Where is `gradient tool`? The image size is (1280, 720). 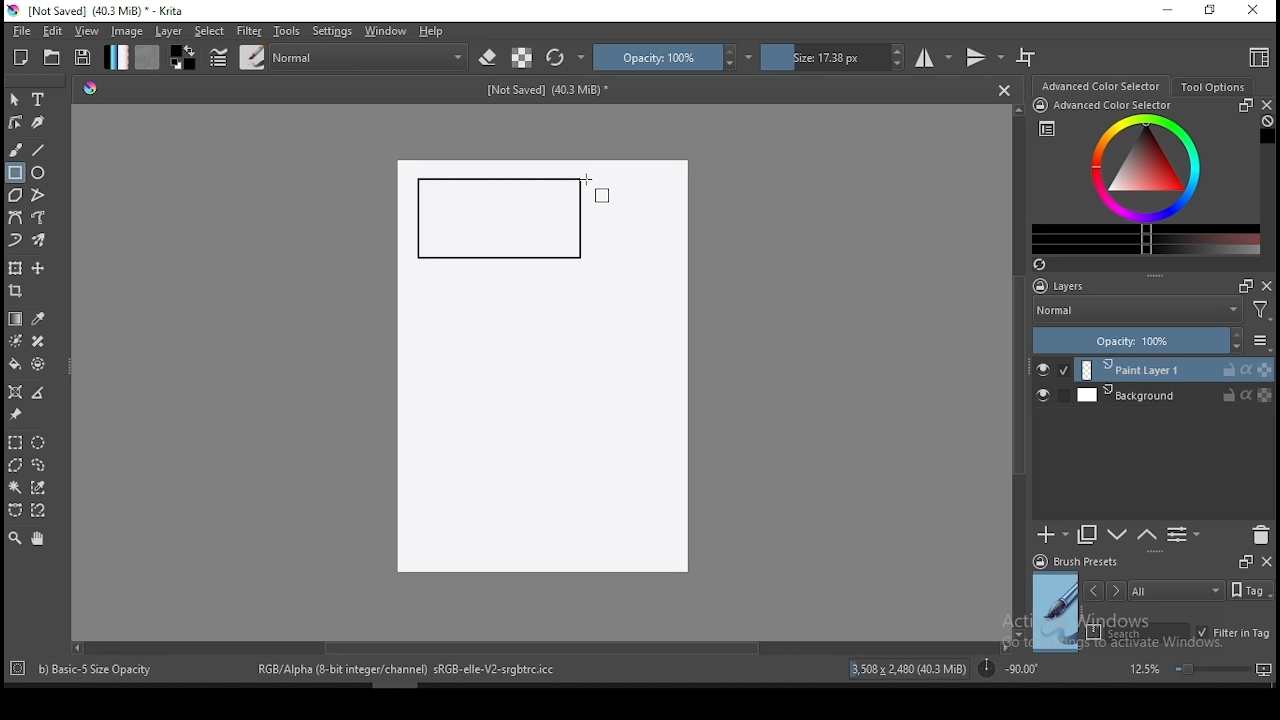 gradient tool is located at coordinates (16, 319).